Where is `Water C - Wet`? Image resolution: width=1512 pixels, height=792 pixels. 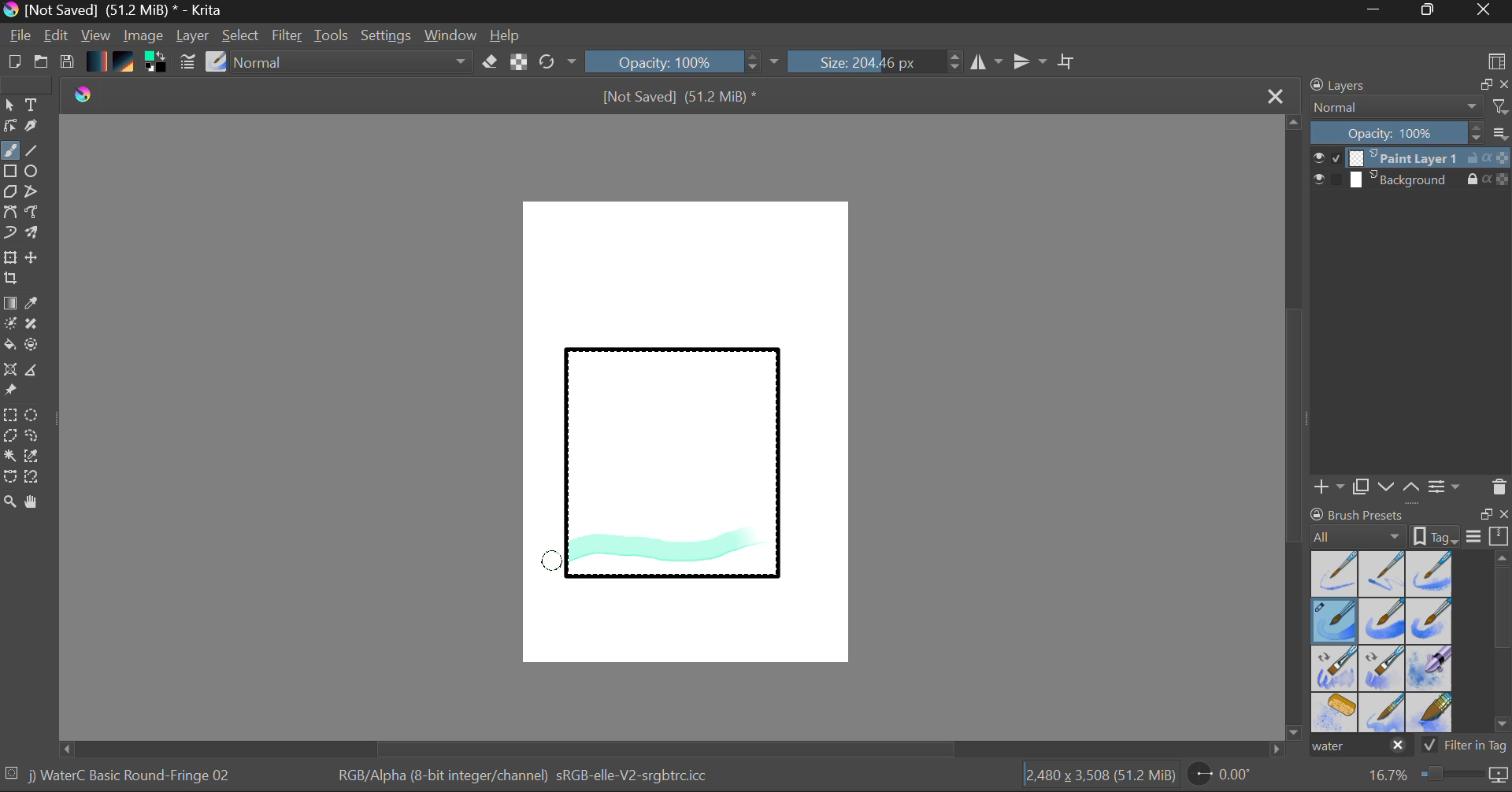 Water C - Wet is located at coordinates (1384, 574).